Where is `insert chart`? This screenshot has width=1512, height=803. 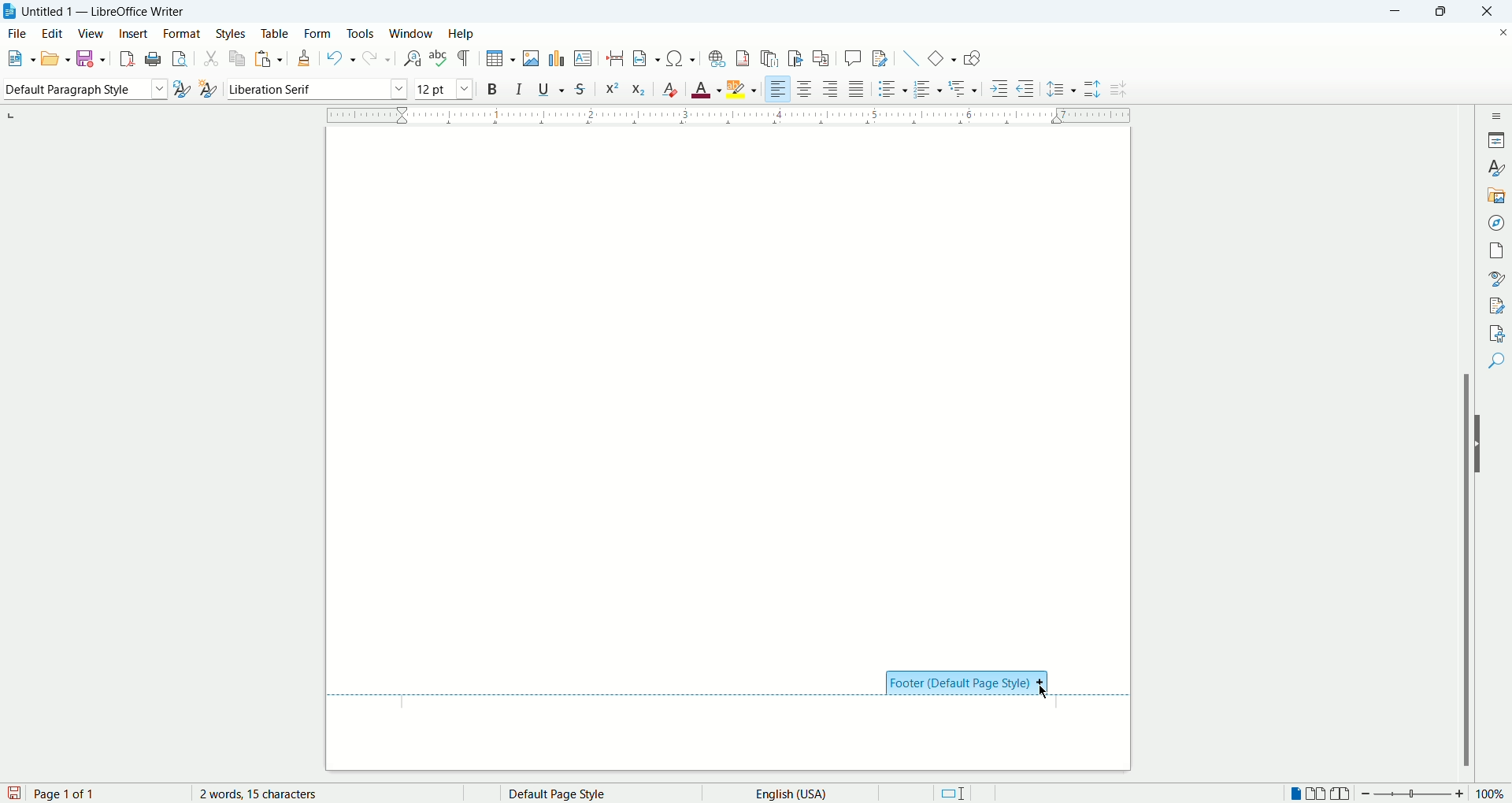 insert chart is located at coordinates (555, 57).